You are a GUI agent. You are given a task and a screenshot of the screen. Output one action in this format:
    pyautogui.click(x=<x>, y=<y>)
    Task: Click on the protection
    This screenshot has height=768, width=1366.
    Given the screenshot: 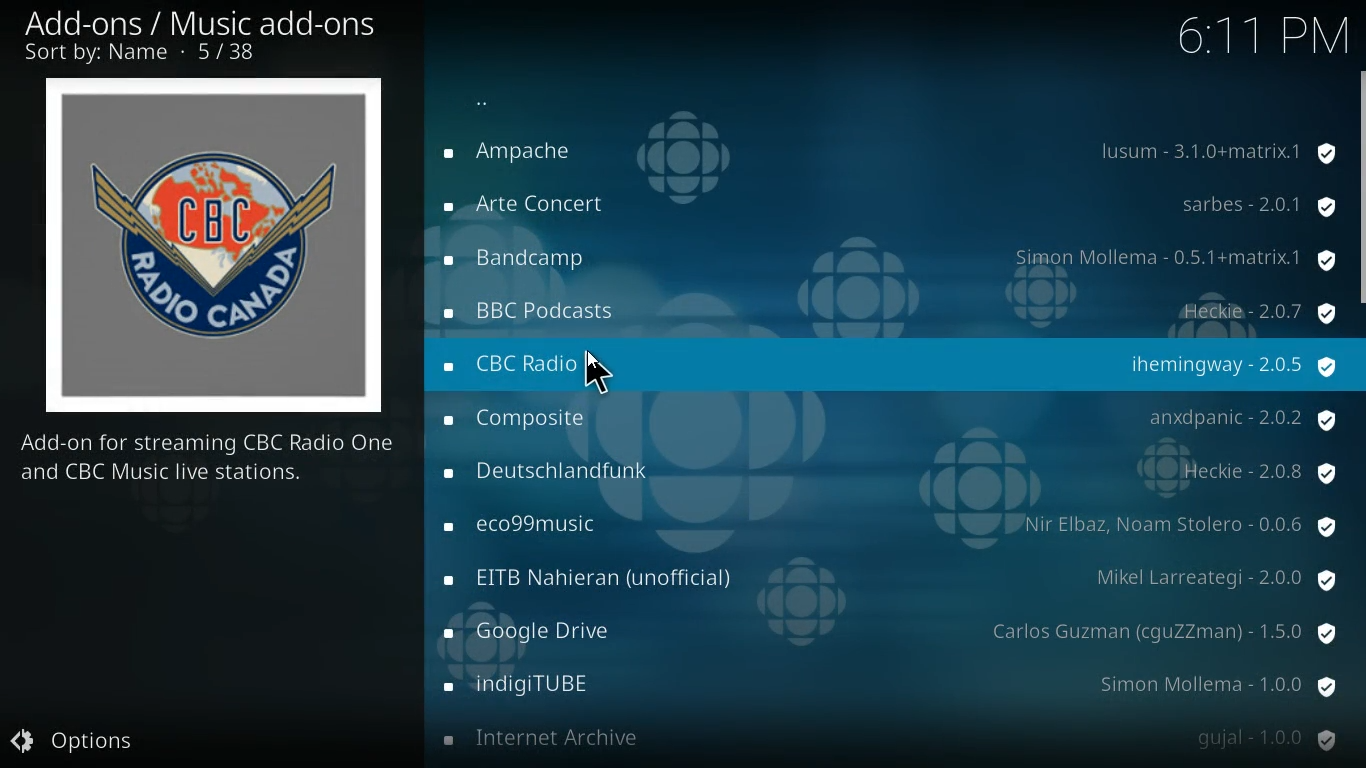 What is the action you would take?
    pyautogui.click(x=1127, y=364)
    